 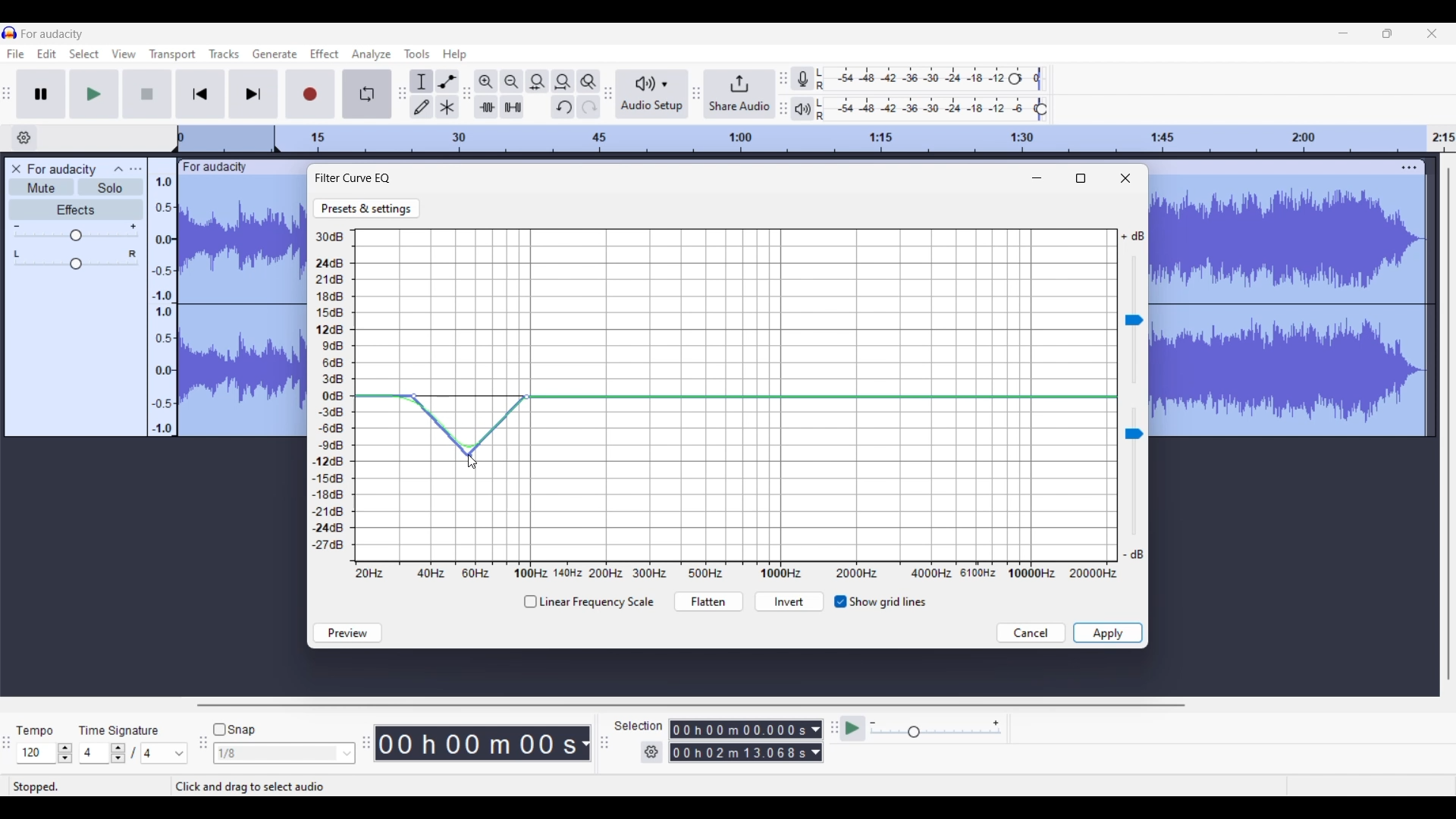 What do you see at coordinates (133, 227) in the screenshot?
I see `Max. gain` at bounding box center [133, 227].